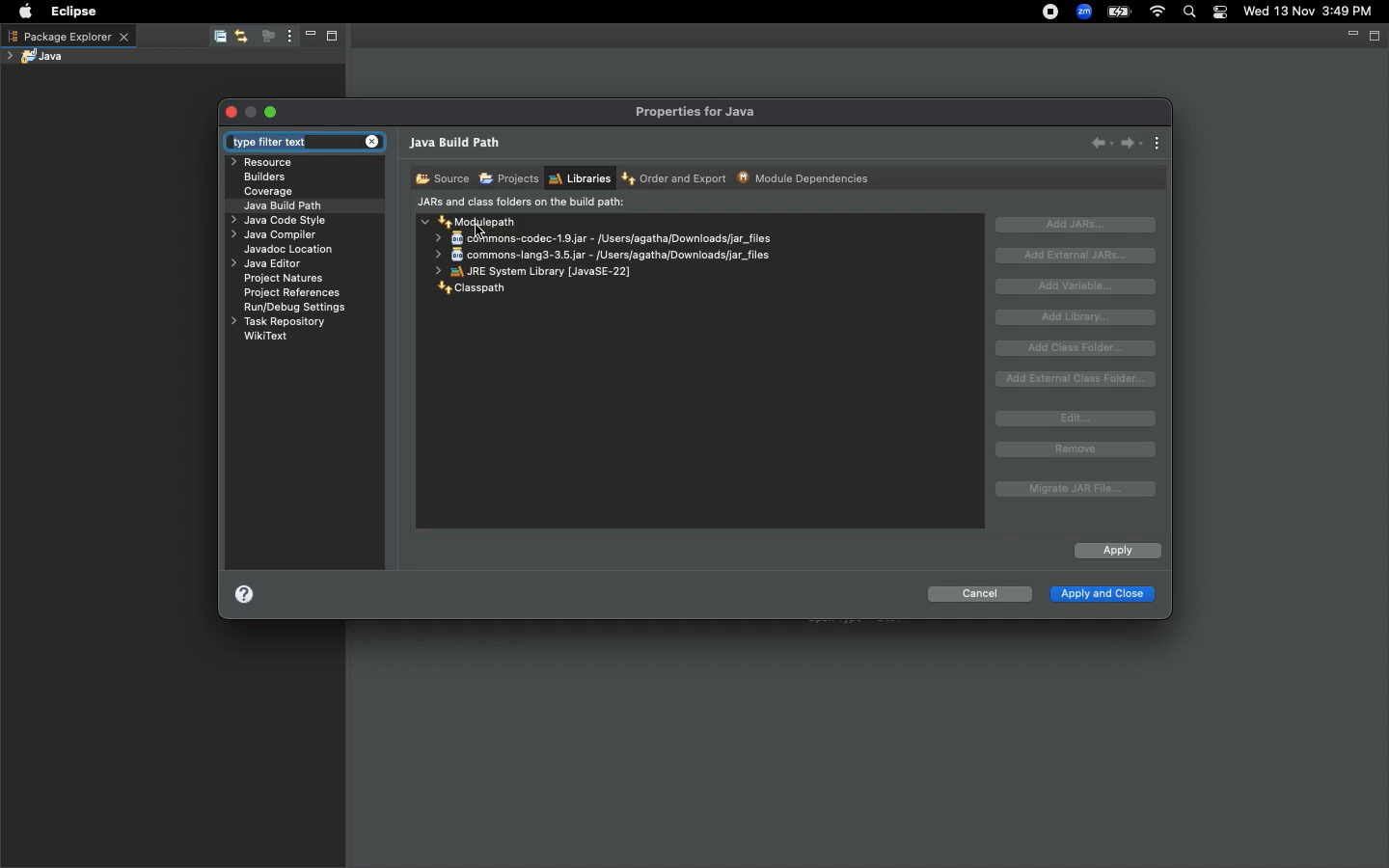 The width and height of the screenshot is (1389, 868). I want to click on Java editor, so click(269, 264).